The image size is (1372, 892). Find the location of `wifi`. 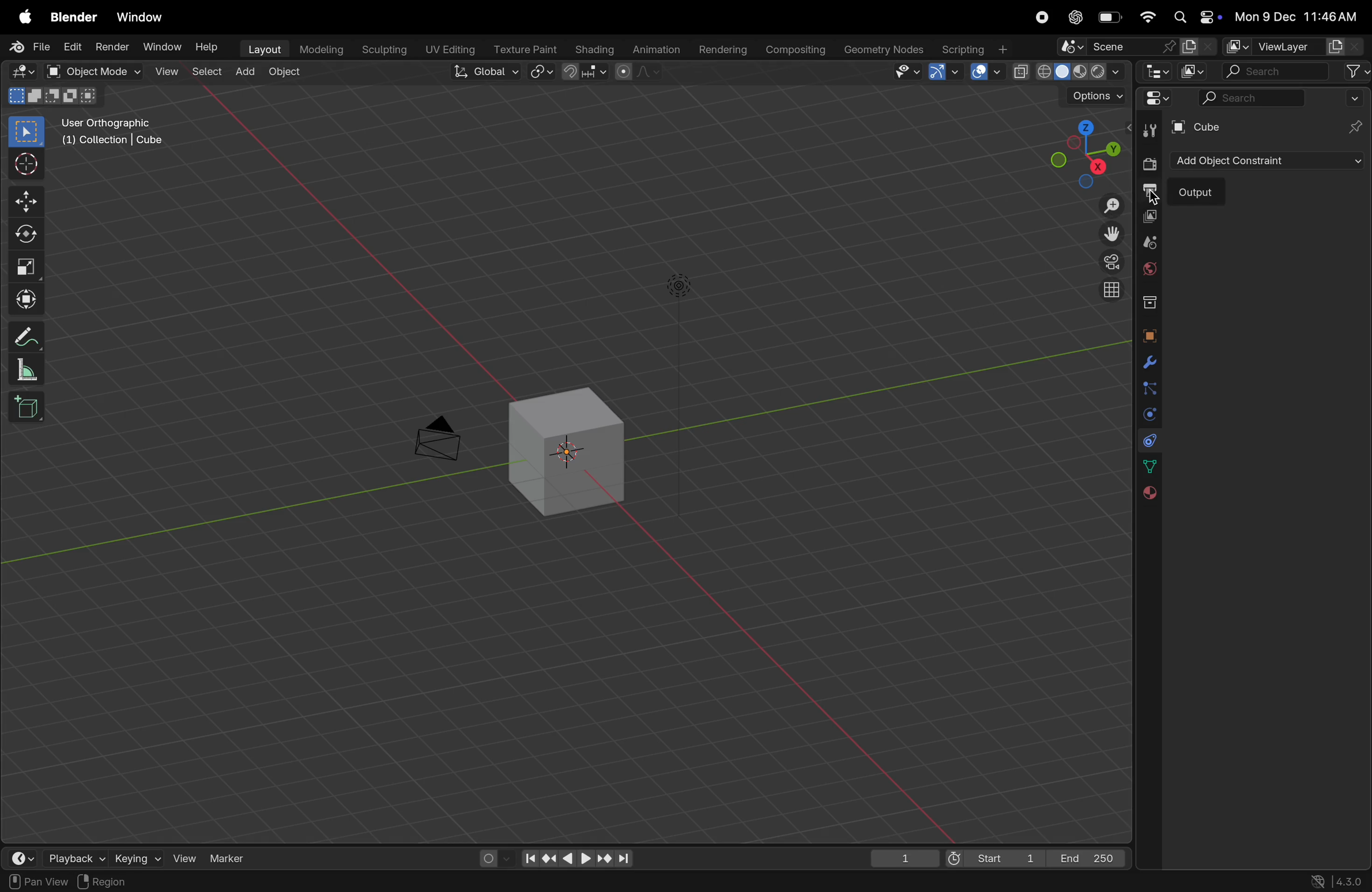

wifi is located at coordinates (1145, 17).